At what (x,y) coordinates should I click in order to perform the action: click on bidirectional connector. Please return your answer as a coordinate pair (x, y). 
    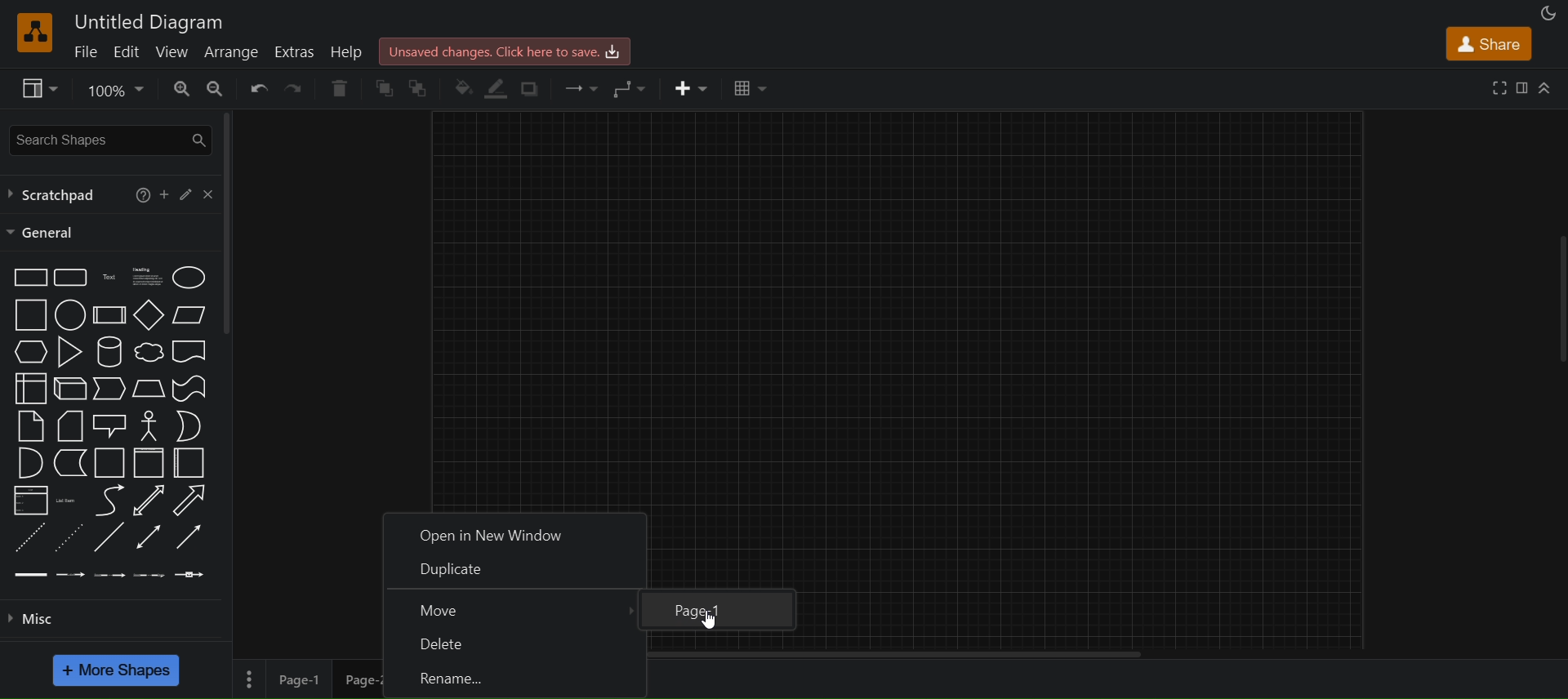
    Looking at the image, I should click on (149, 536).